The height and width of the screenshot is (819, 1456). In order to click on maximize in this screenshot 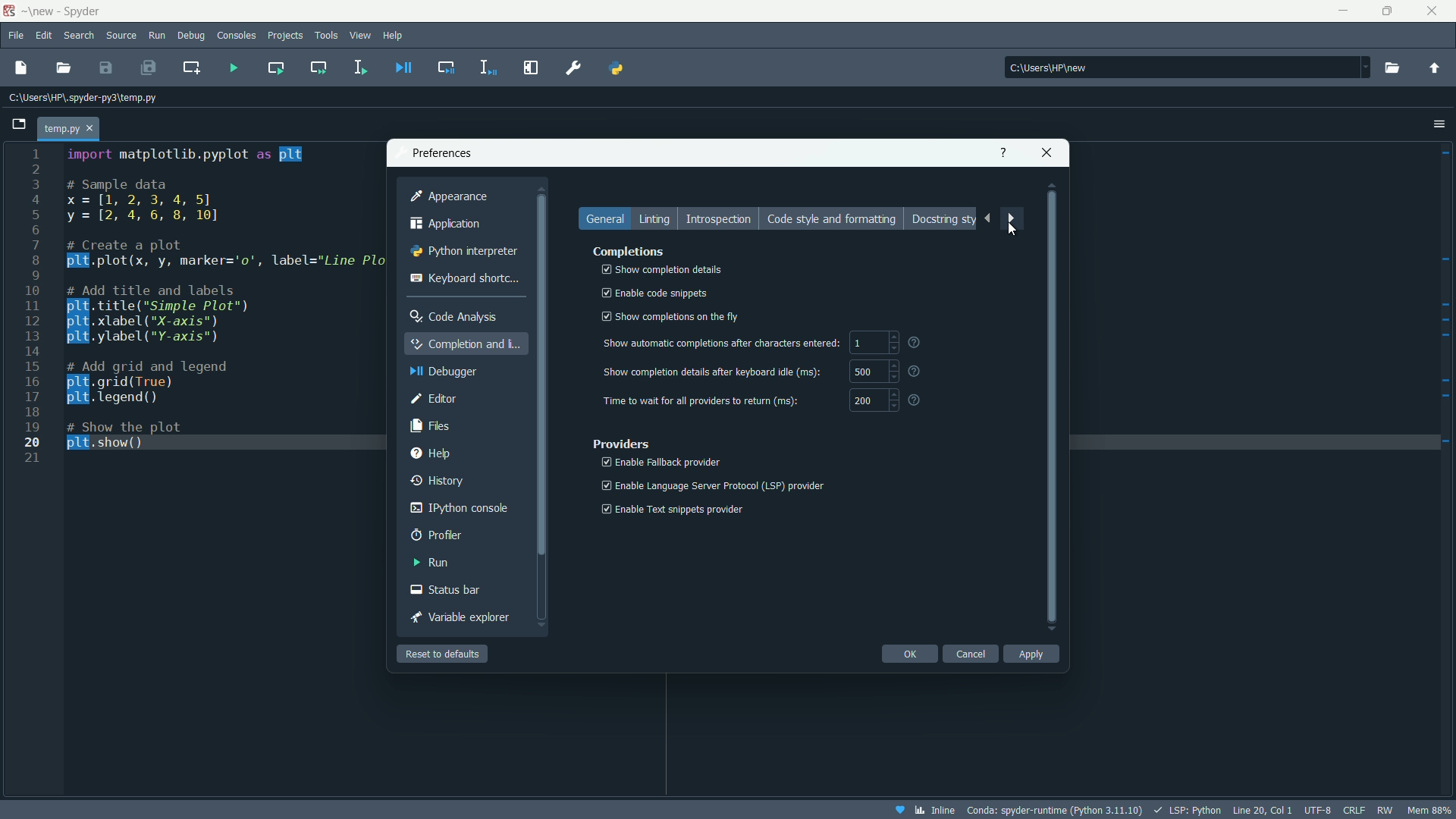, I will do `click(1387, 11)`.